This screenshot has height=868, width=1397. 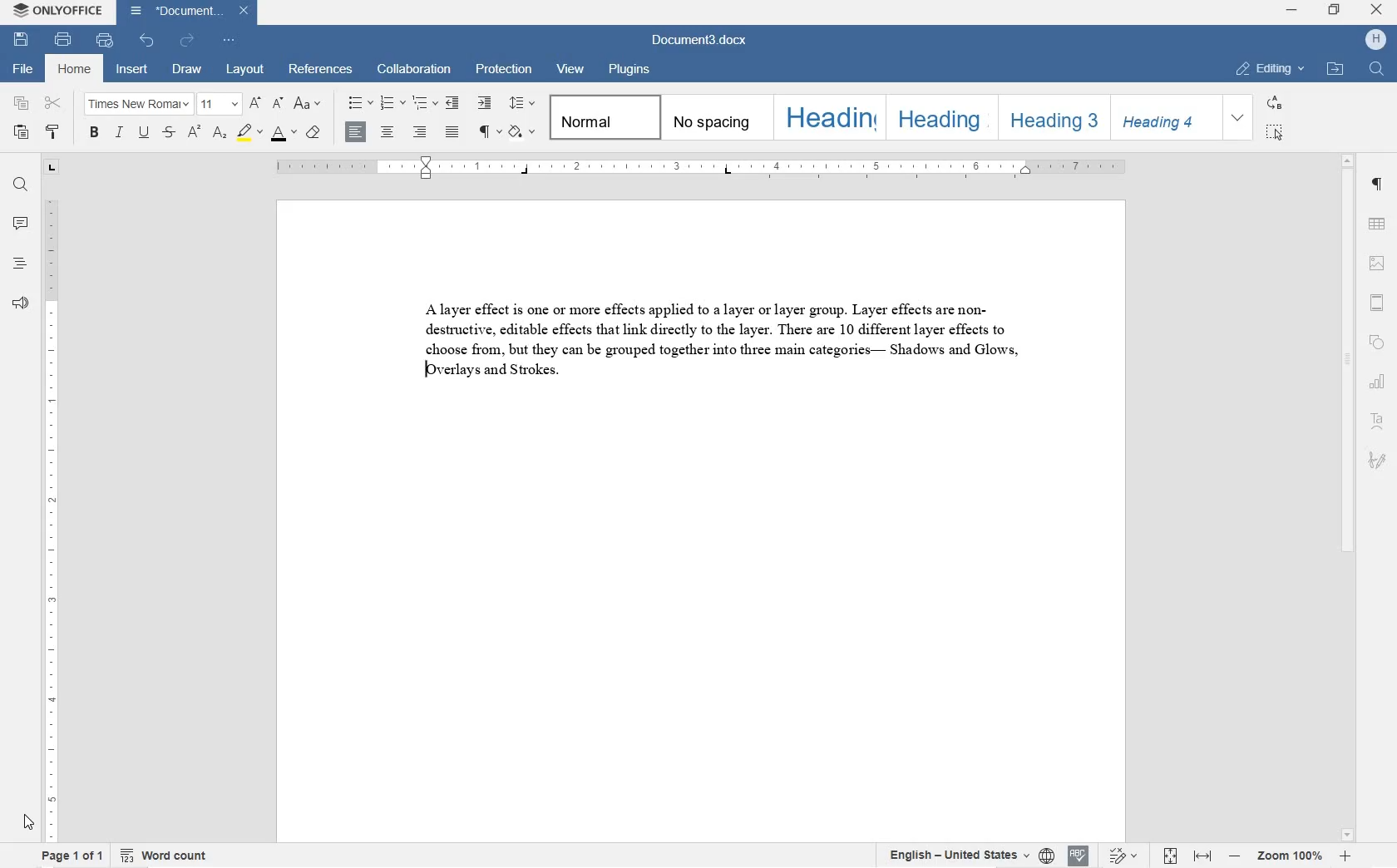 What do you see at coordinates (27, 821) in the screenshot?
I see `cursor` at bounding box center [27, 821].